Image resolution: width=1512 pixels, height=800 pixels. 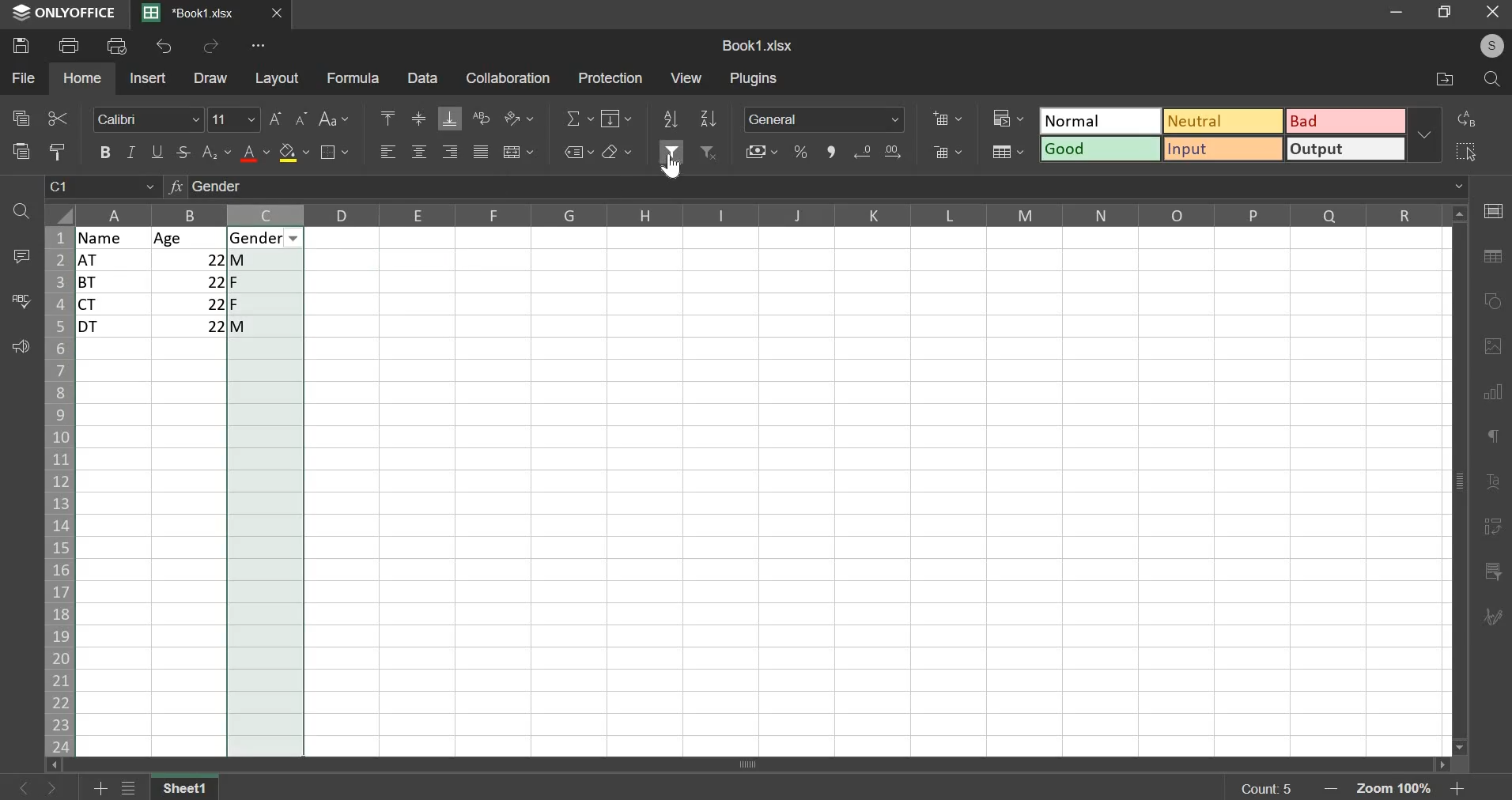 What do you see at coordinates (190, 238) in the screenshot?
I see `age` at bounding box center [190, 238].